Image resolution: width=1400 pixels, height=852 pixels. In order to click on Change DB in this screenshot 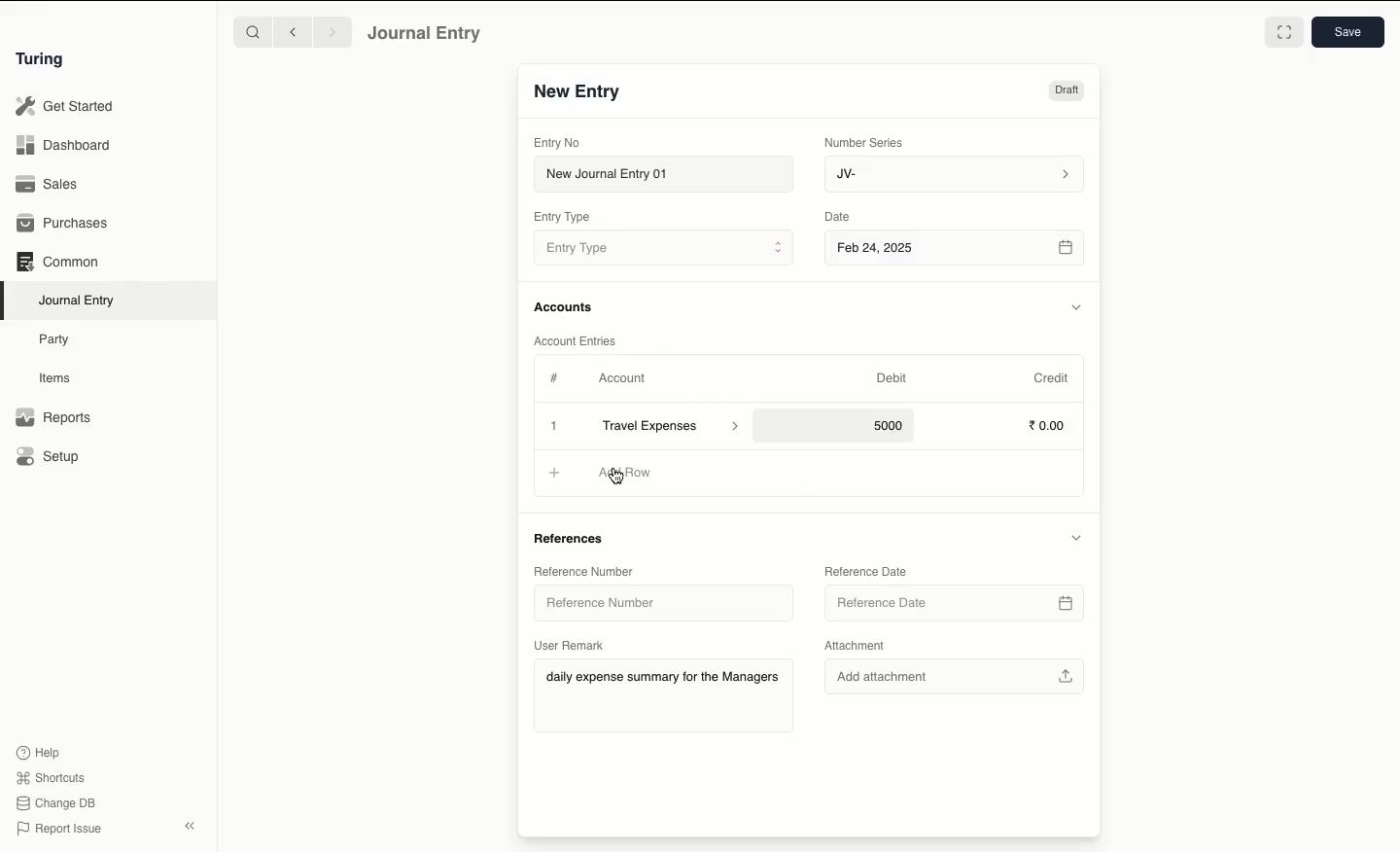, I will do `click(55, 803)`.